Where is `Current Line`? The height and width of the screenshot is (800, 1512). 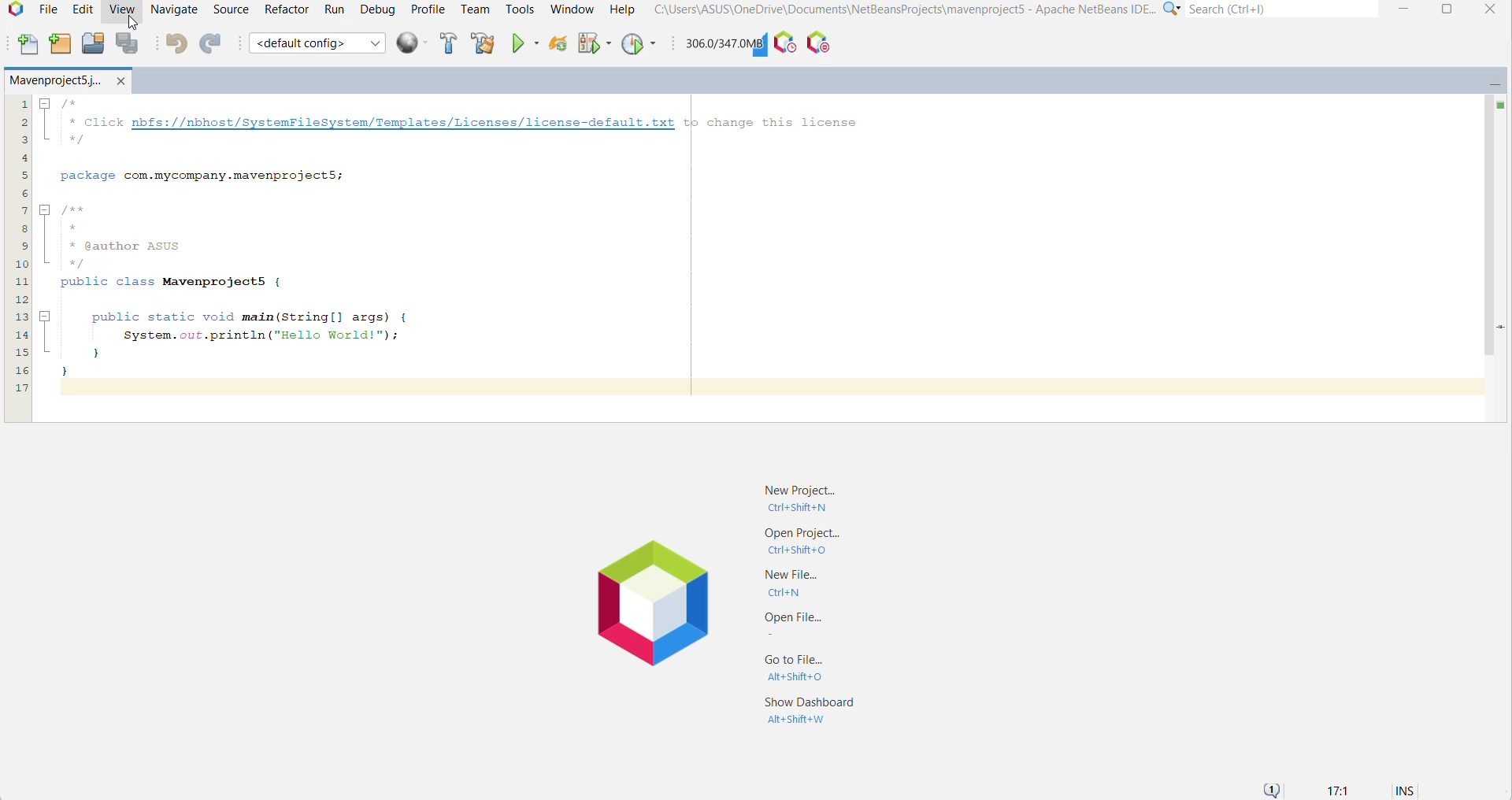
Current Line is located at coordinates (1503, 326).